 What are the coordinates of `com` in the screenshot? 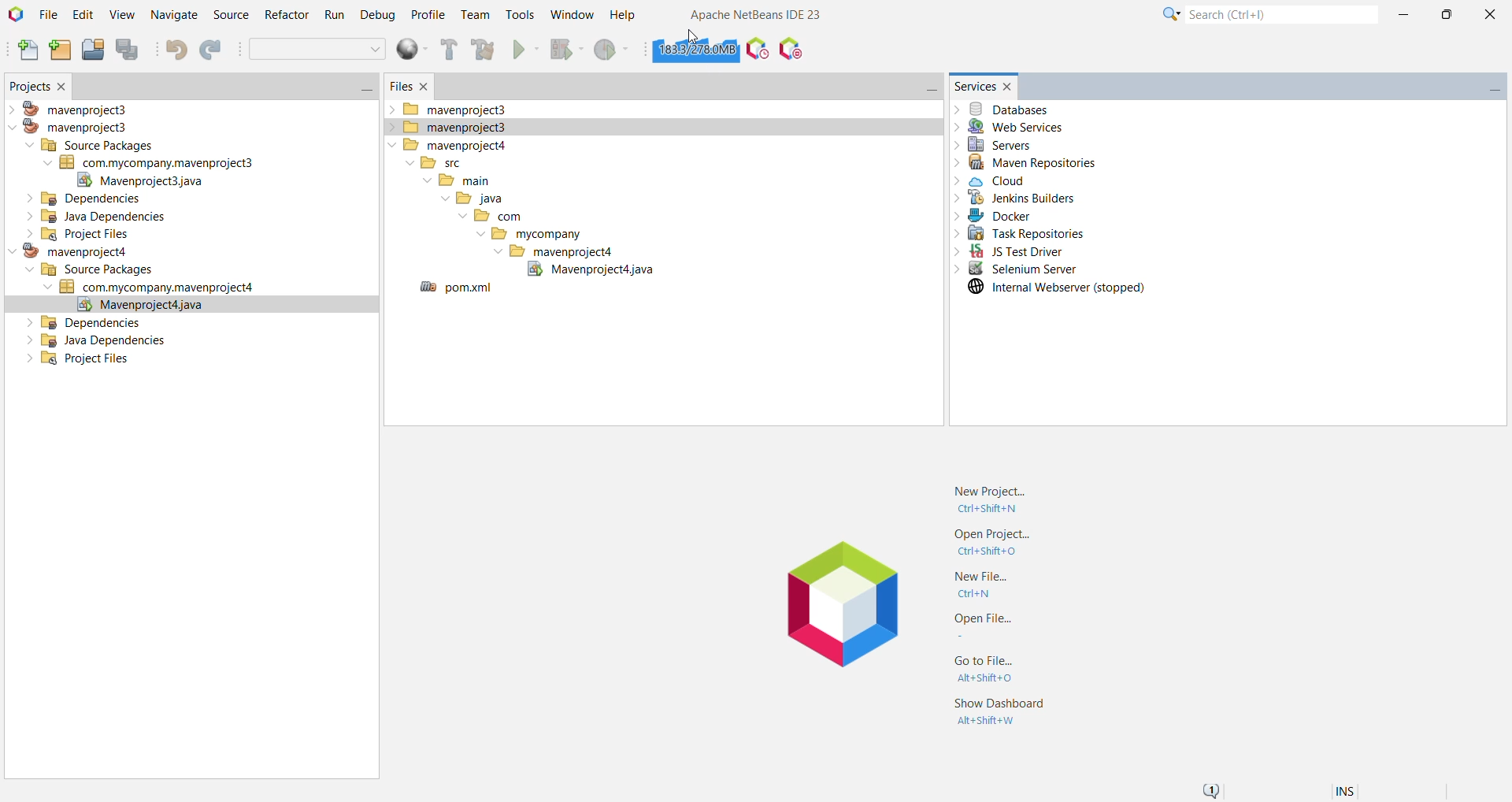 It's located at (491, 217).